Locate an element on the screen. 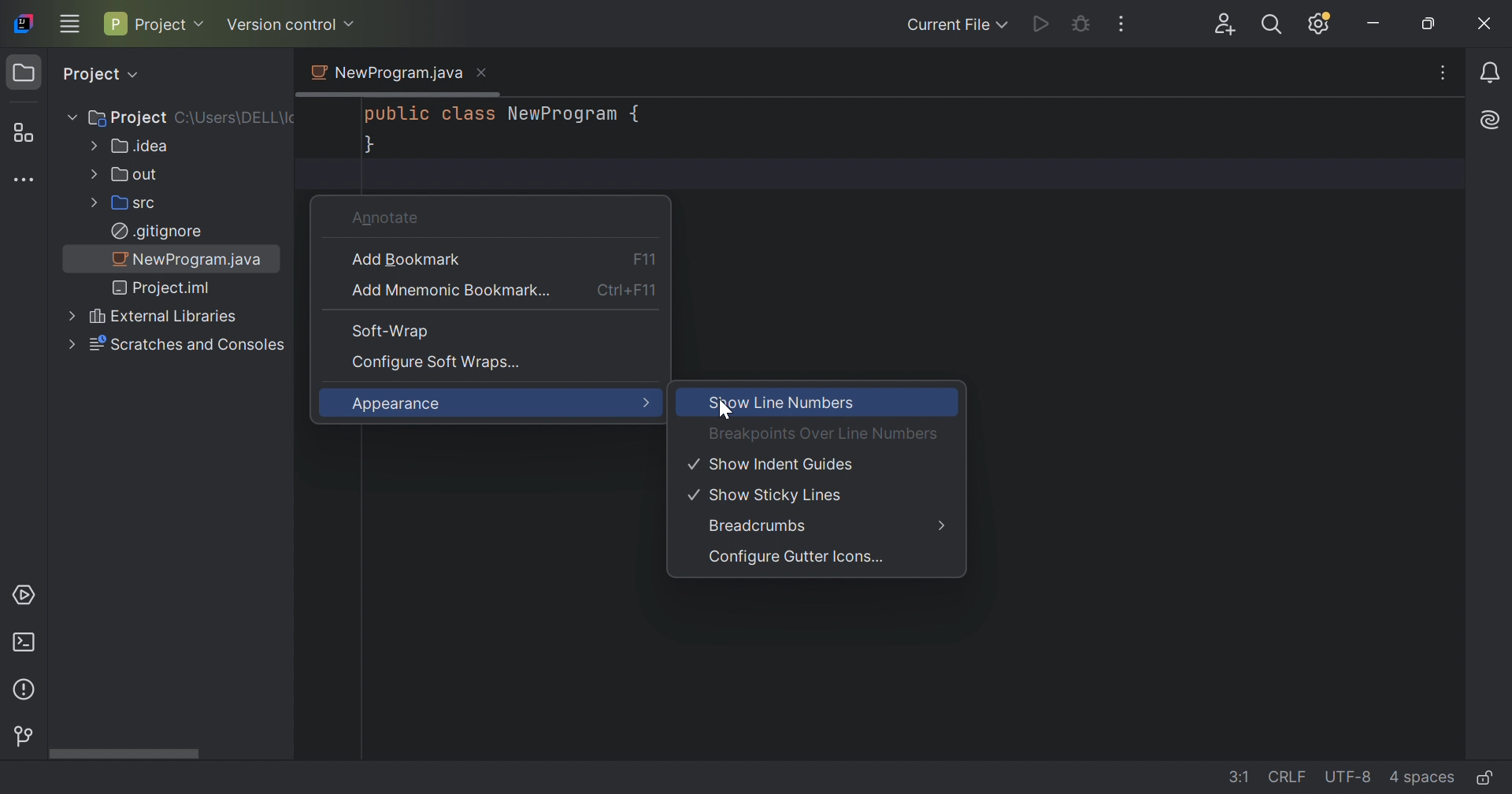 This screenshot has height=794, width=1512. NewProgram.java is located at coordinates (192, 258).